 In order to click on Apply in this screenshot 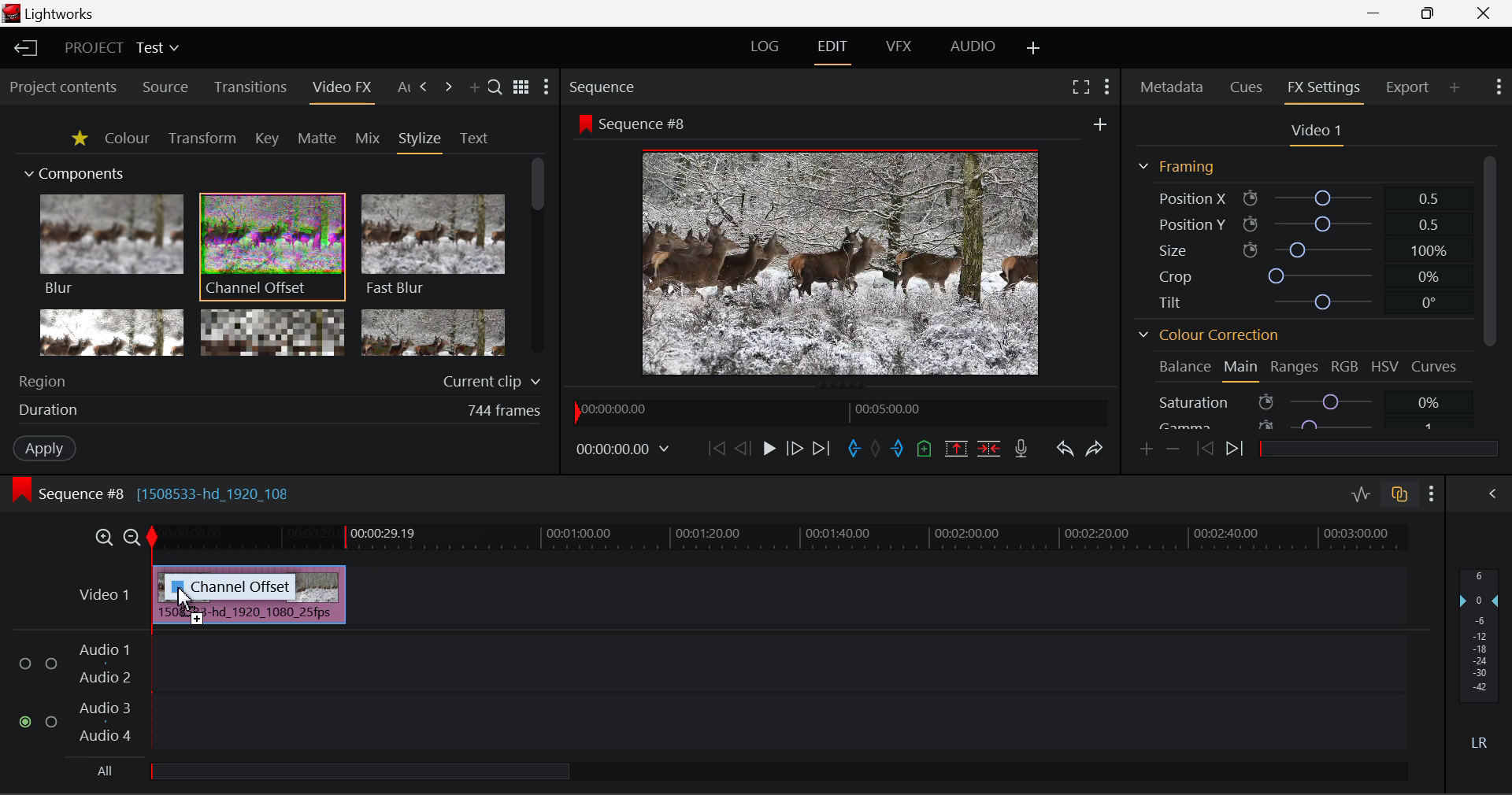, I will do `click(46, 449)`.